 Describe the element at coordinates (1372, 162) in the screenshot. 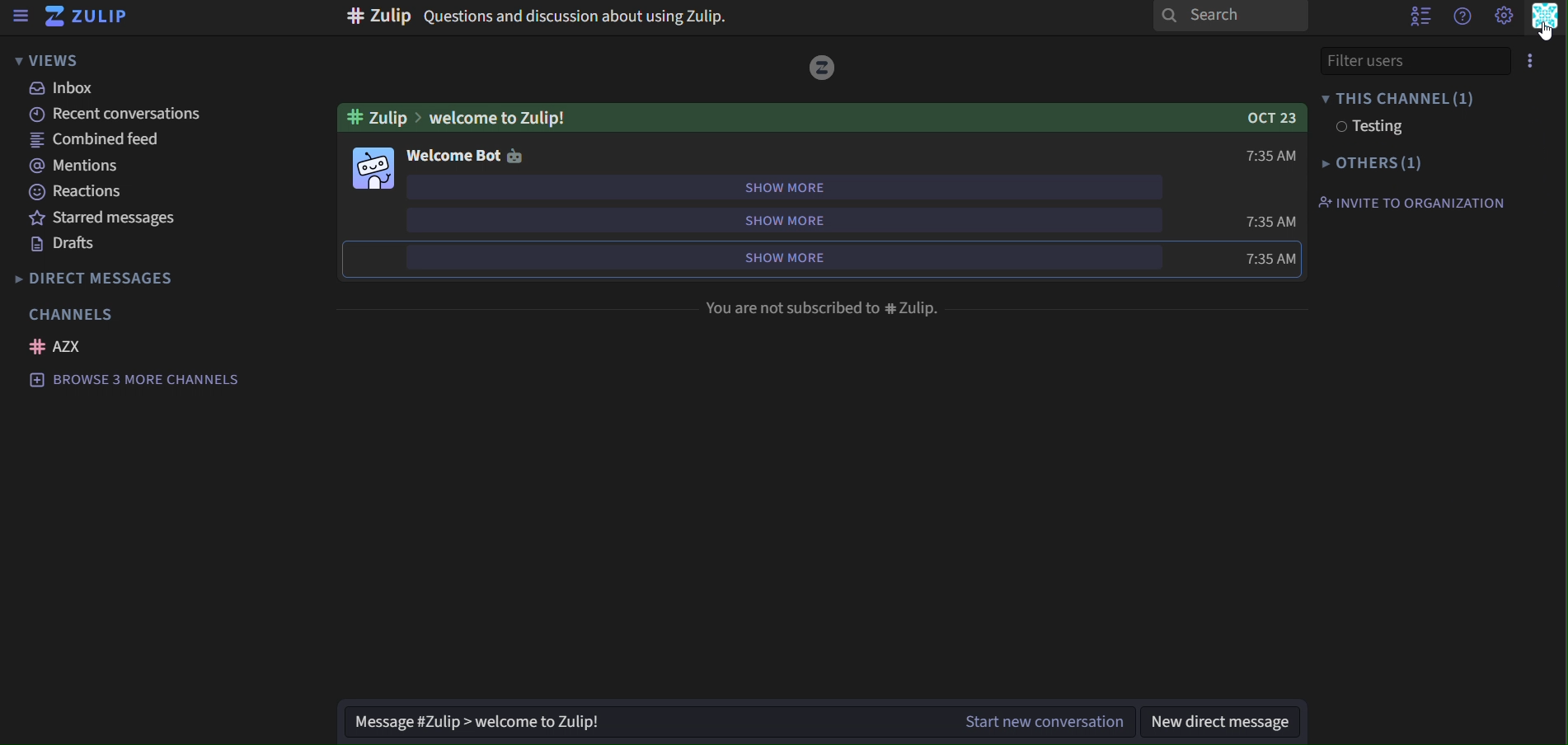

I see `others(1)` at that location.